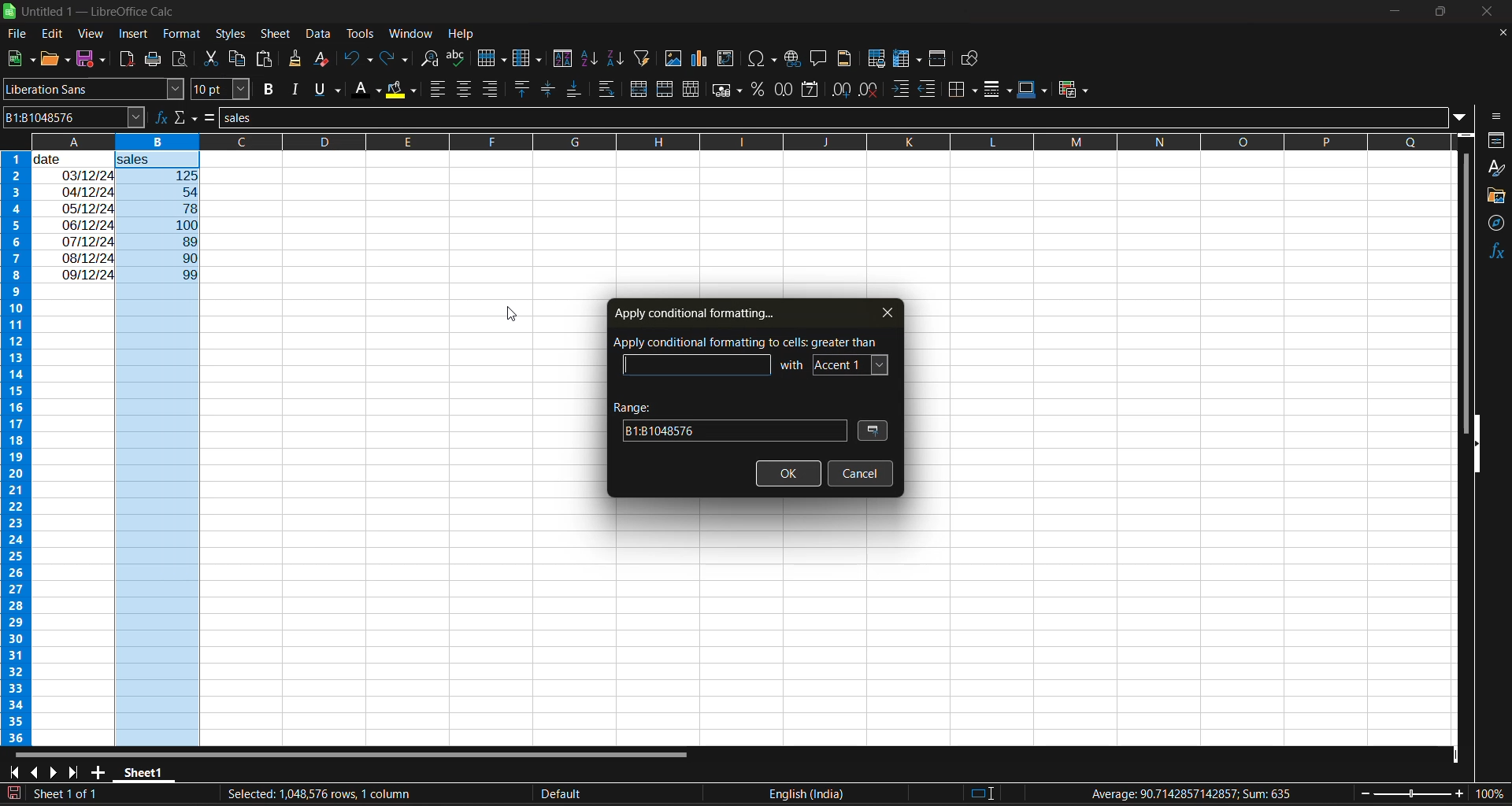 This screenshot has width=1512, height=806. What do you see at coordinates (13, 773) in the screenshot?
I see `scroll to first sheet` at bounding box center [13, 773].